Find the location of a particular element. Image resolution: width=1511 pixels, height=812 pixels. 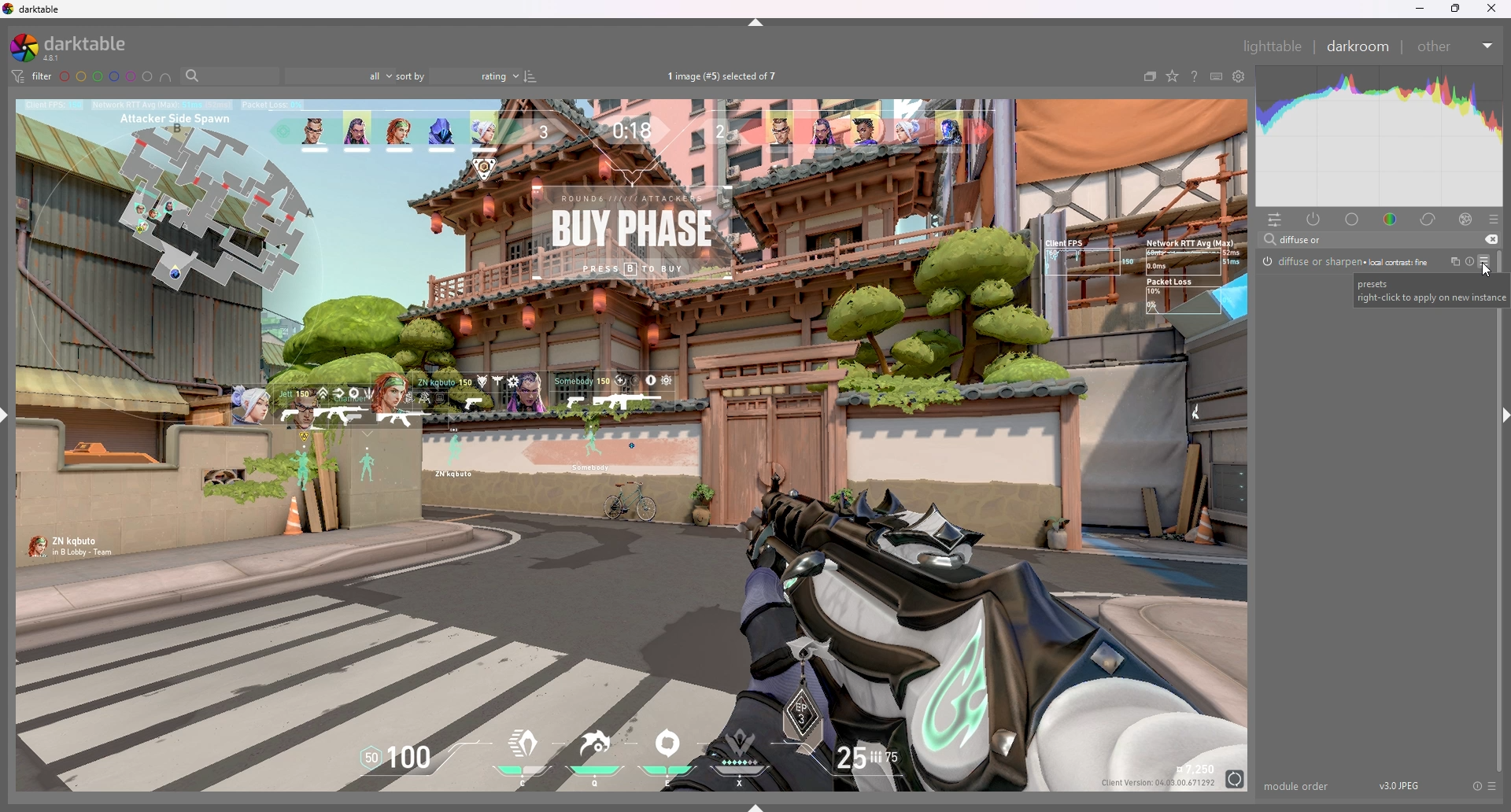

close is located at coordinates (1494, 7).